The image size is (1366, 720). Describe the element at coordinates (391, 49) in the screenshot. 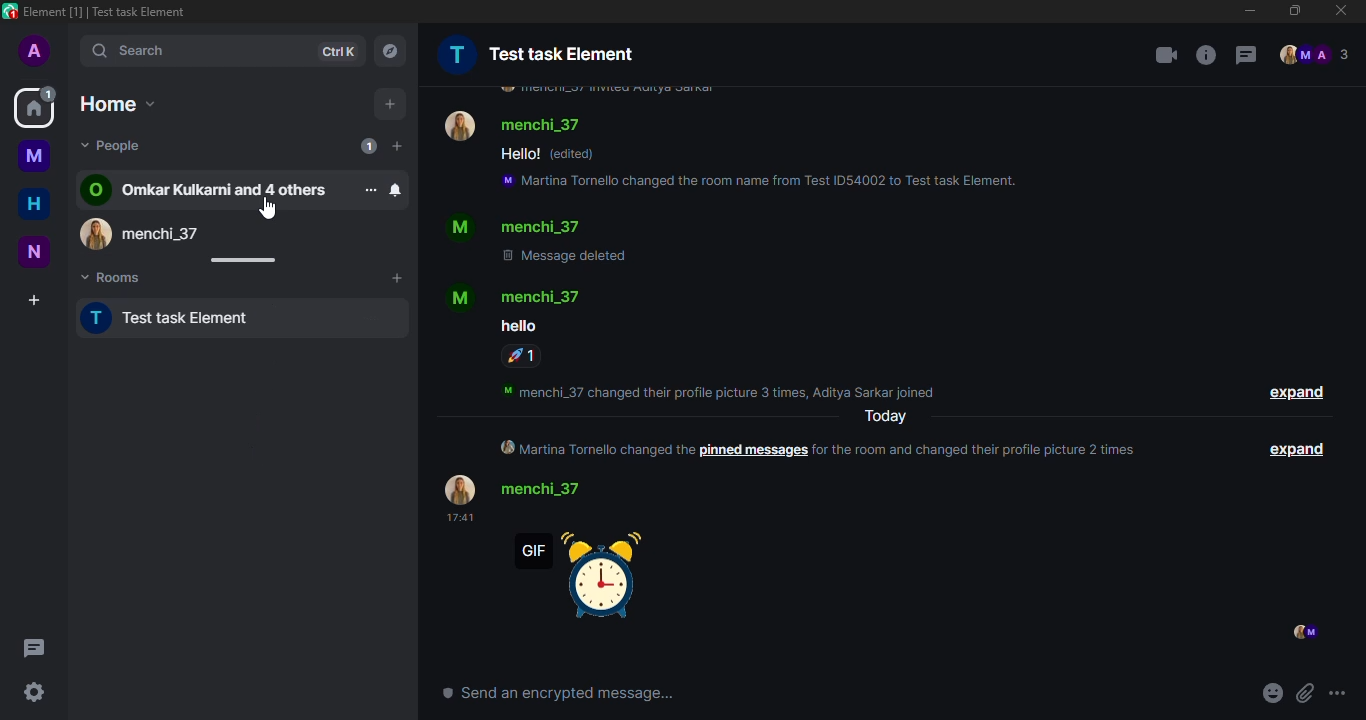

I see `explore rooms` at that location.